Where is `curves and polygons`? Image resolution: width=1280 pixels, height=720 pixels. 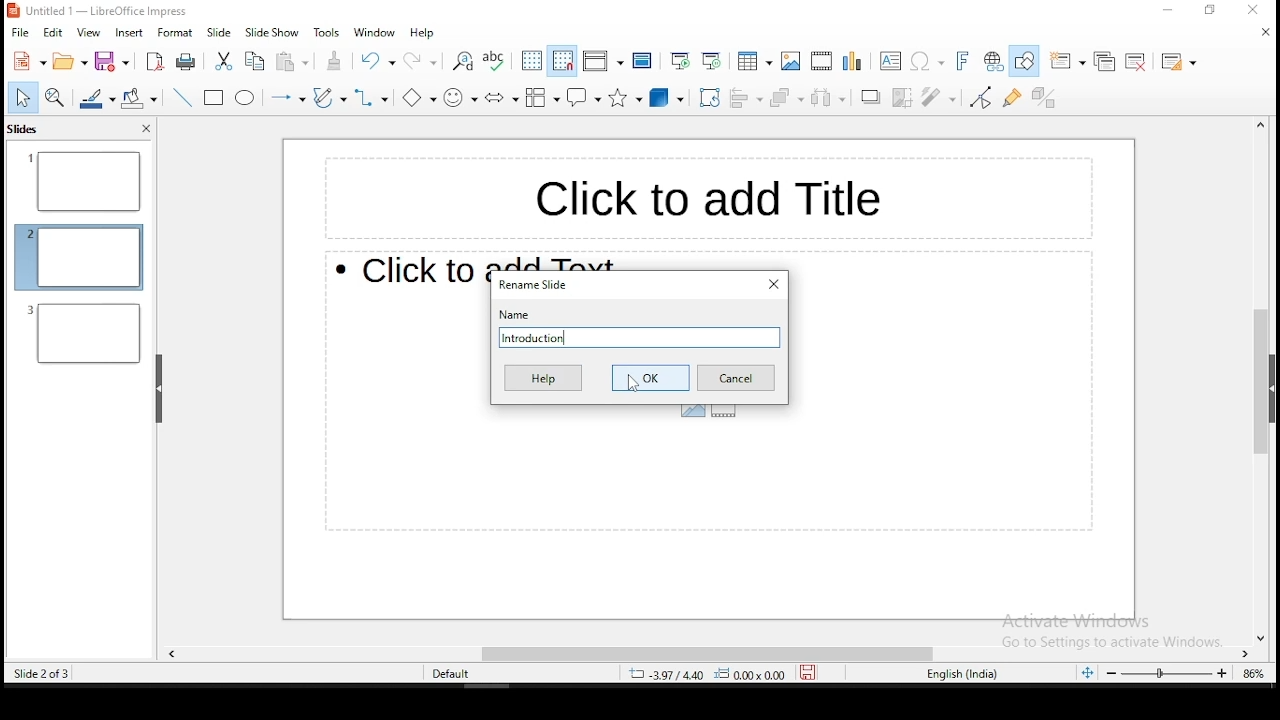 curves and polygons is located at coordinates (330, 99).